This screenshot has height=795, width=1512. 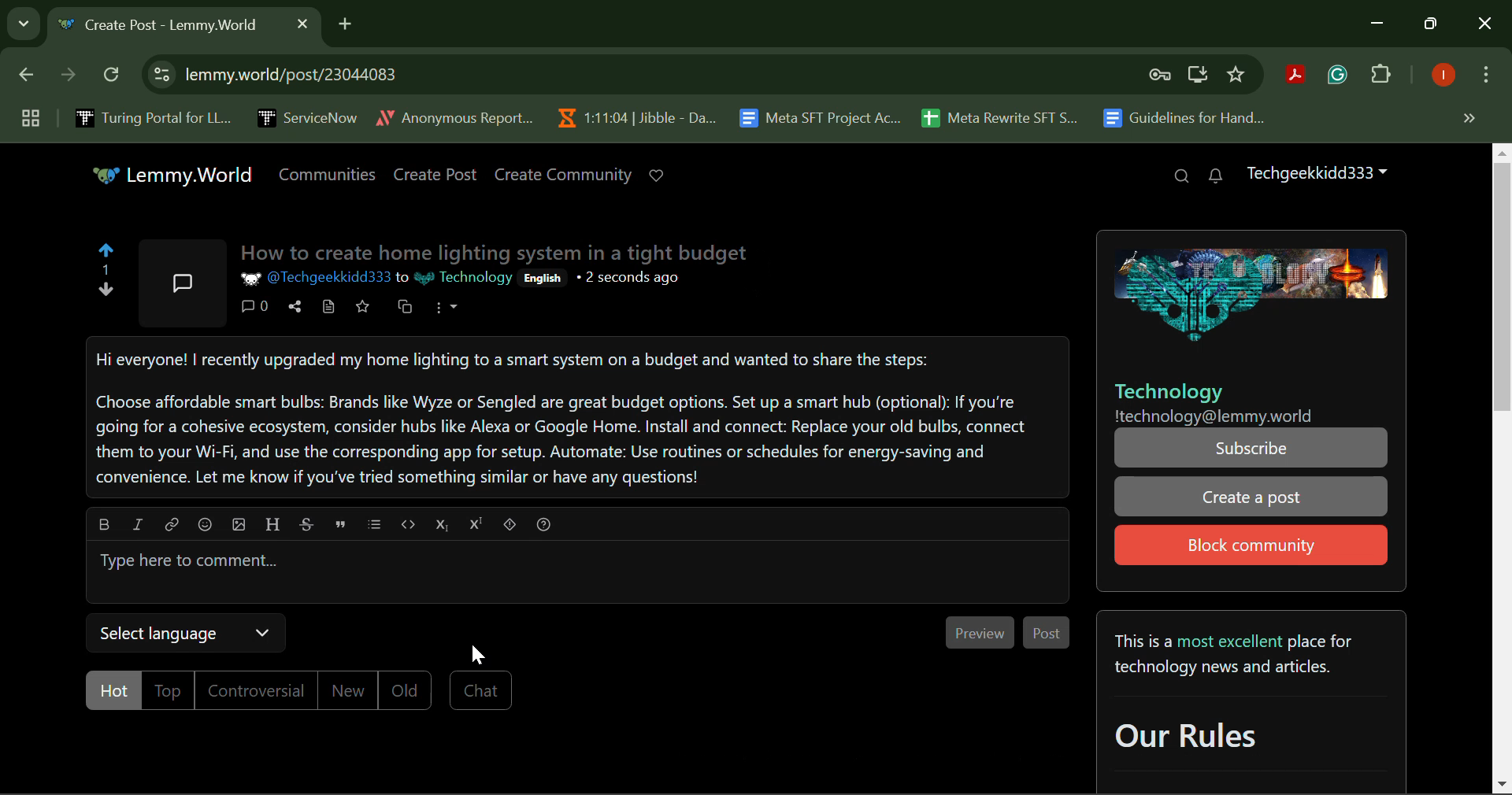 What do you see at coordinates (254, 305) in the screenshot?
I see `Comment Count` at bounding box center [254, 305].